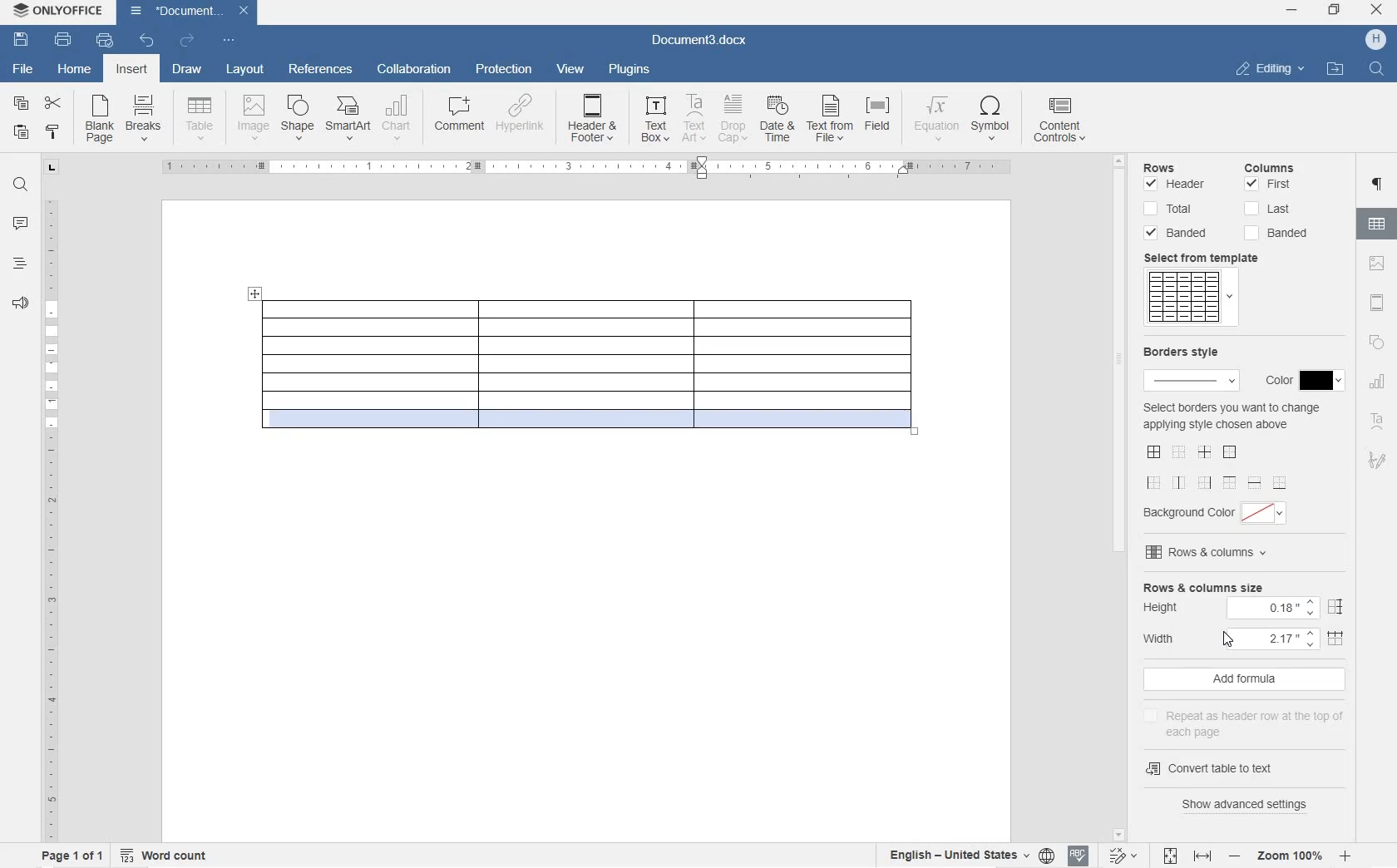  What do you see at coordinates (1377, 224) in the screenshot?
I see `TABLE SETTINGS` at bounding box center [1377, 224].